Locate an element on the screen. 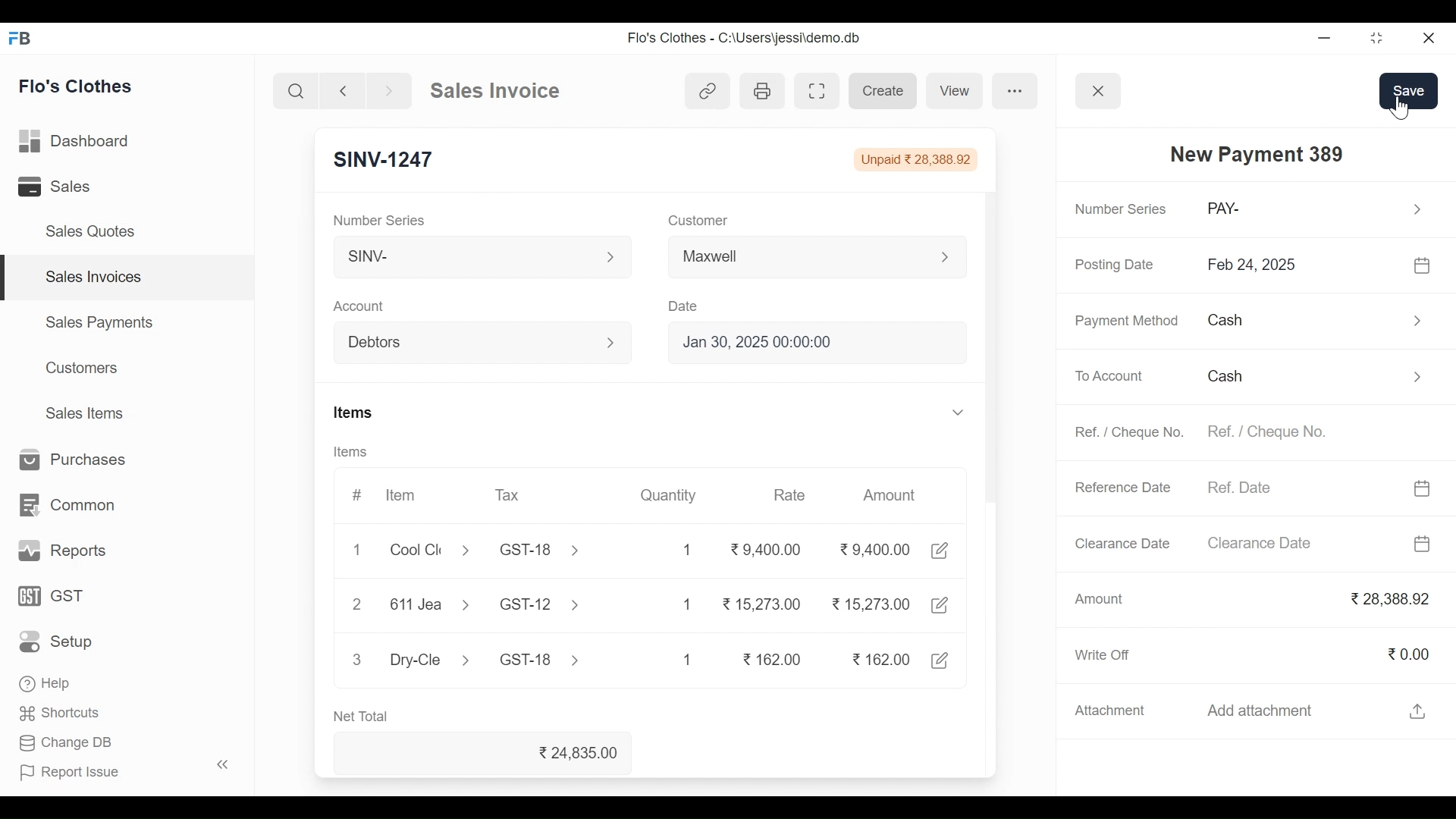 The image size is (1456, 819). Flo's Clothes - C:\Users\jessi\demo.db is located at coordinates (746, 37).